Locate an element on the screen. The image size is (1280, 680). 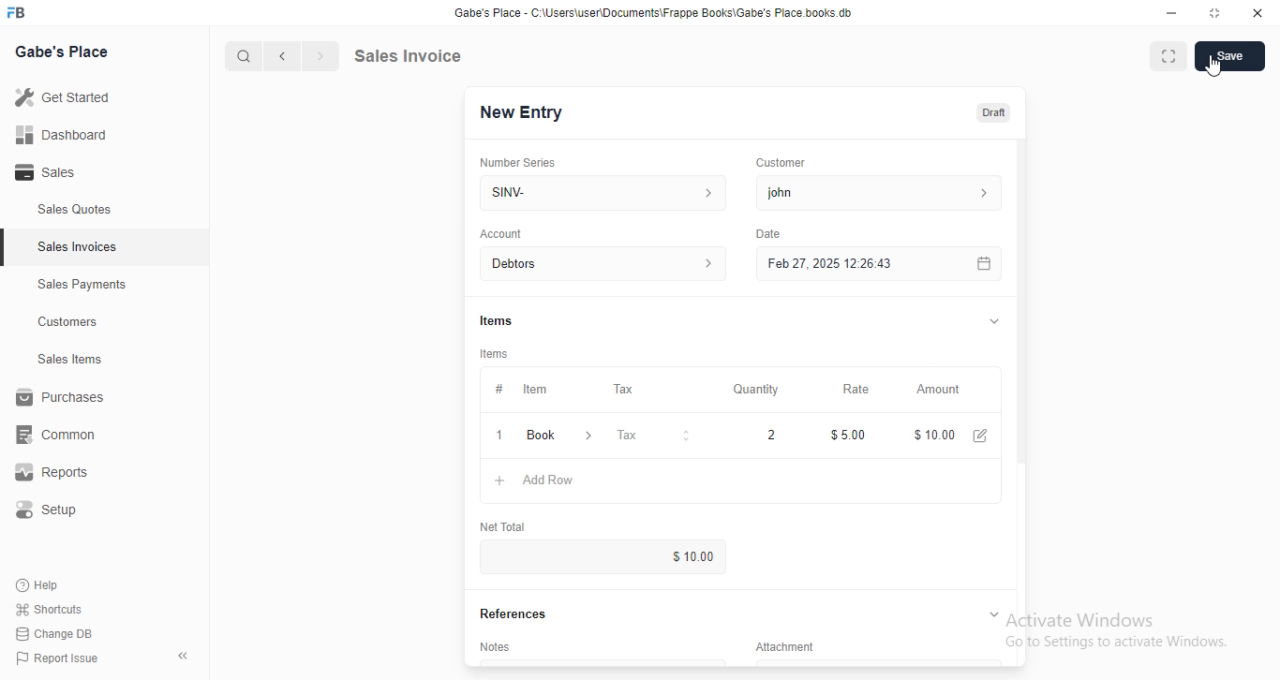
Setup is located at coordinates (48, 507).